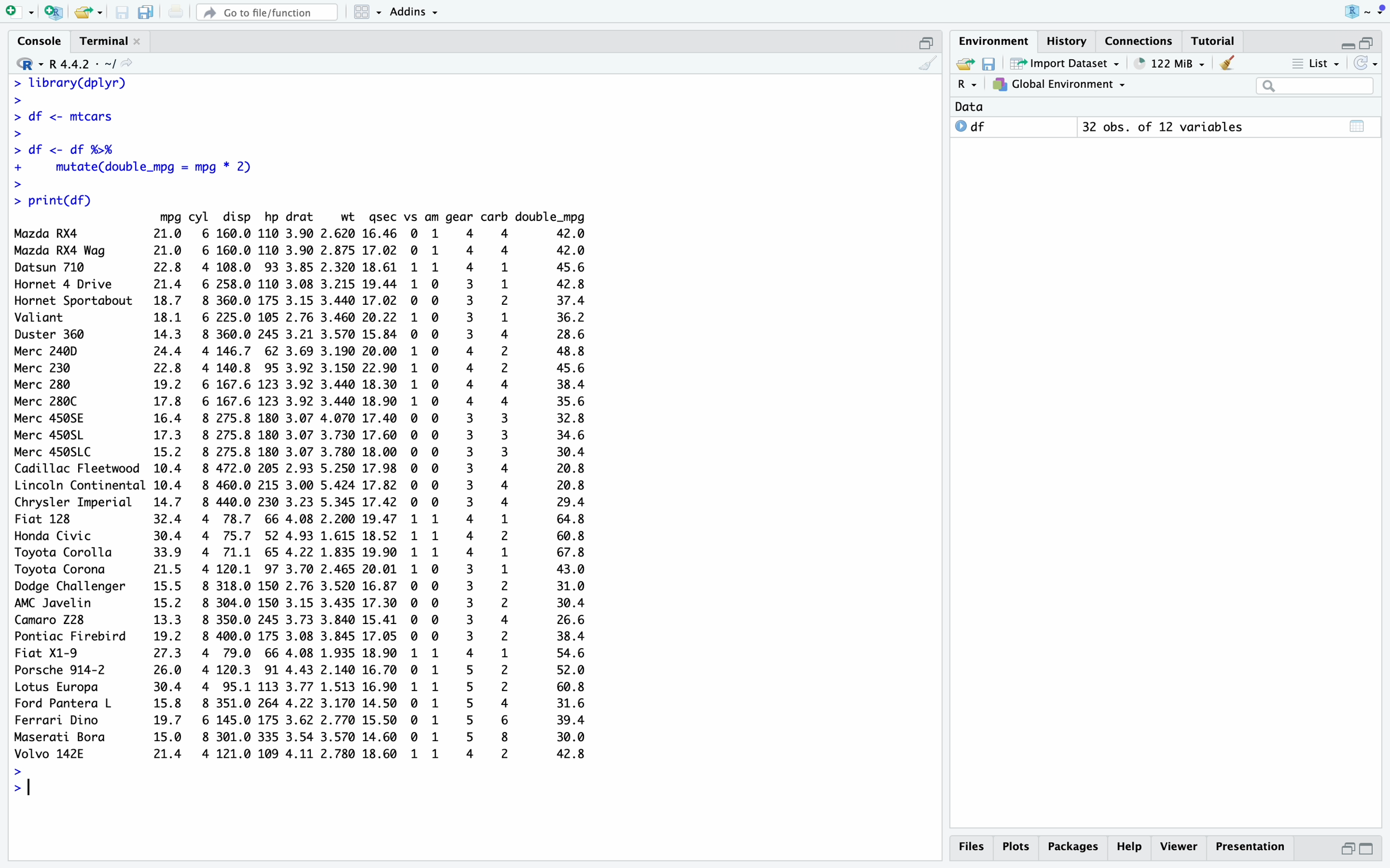  I want to click on share icon, so click(127, 63).